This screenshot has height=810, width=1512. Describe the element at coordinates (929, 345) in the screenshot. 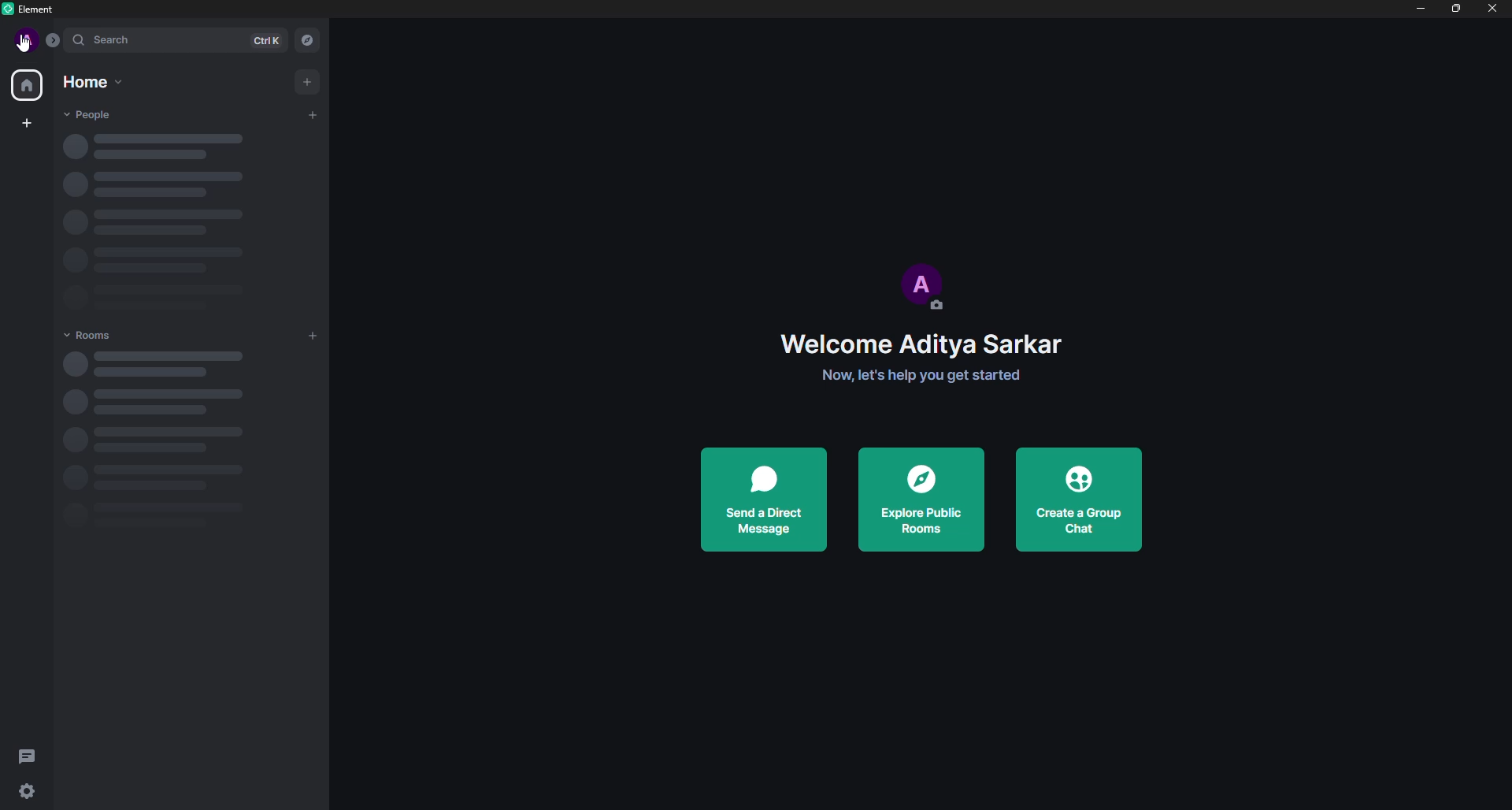

I see `Welcome Aditya Sarkar` at that location.